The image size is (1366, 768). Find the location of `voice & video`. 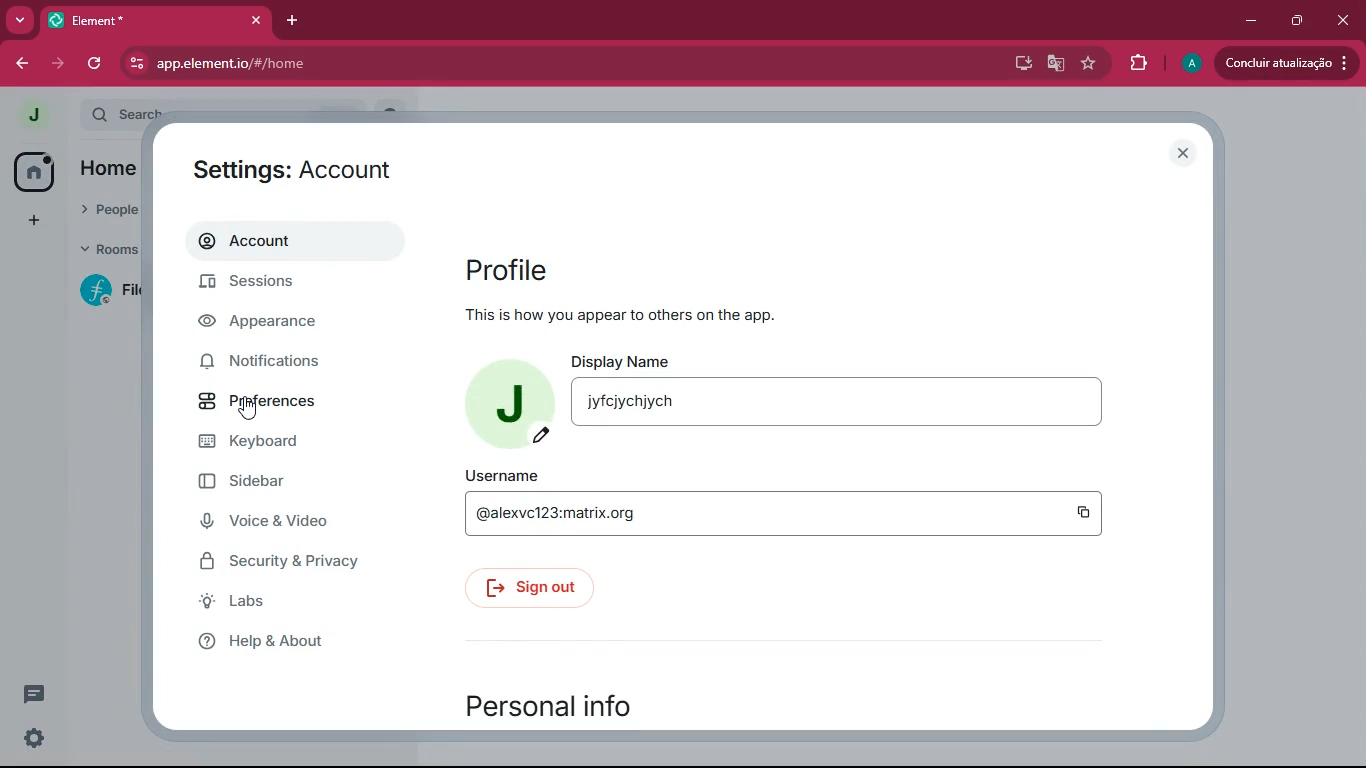

voice & video is located at coordinates (280, 524).